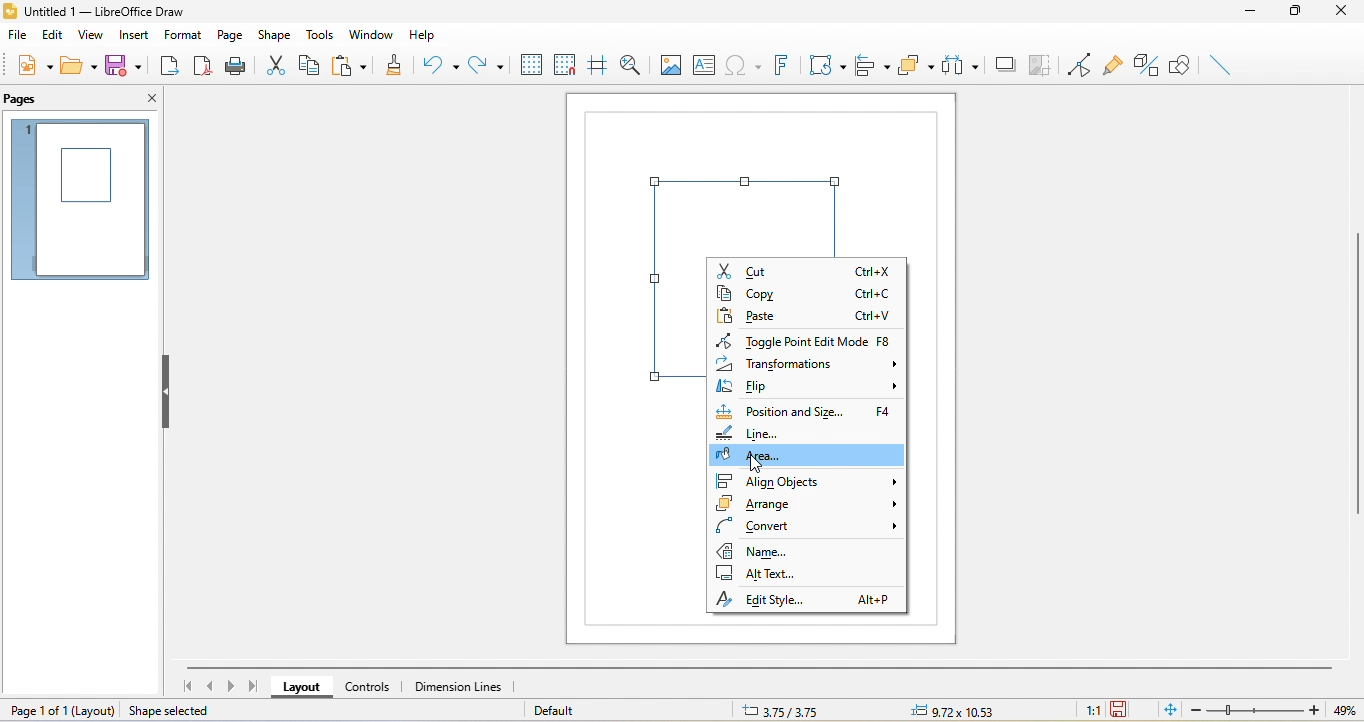 The image size is (1364, 722). What do you see at coordinates (782, 64) in the screenshot?
I see `font work text` at bounding box center [782, 64].